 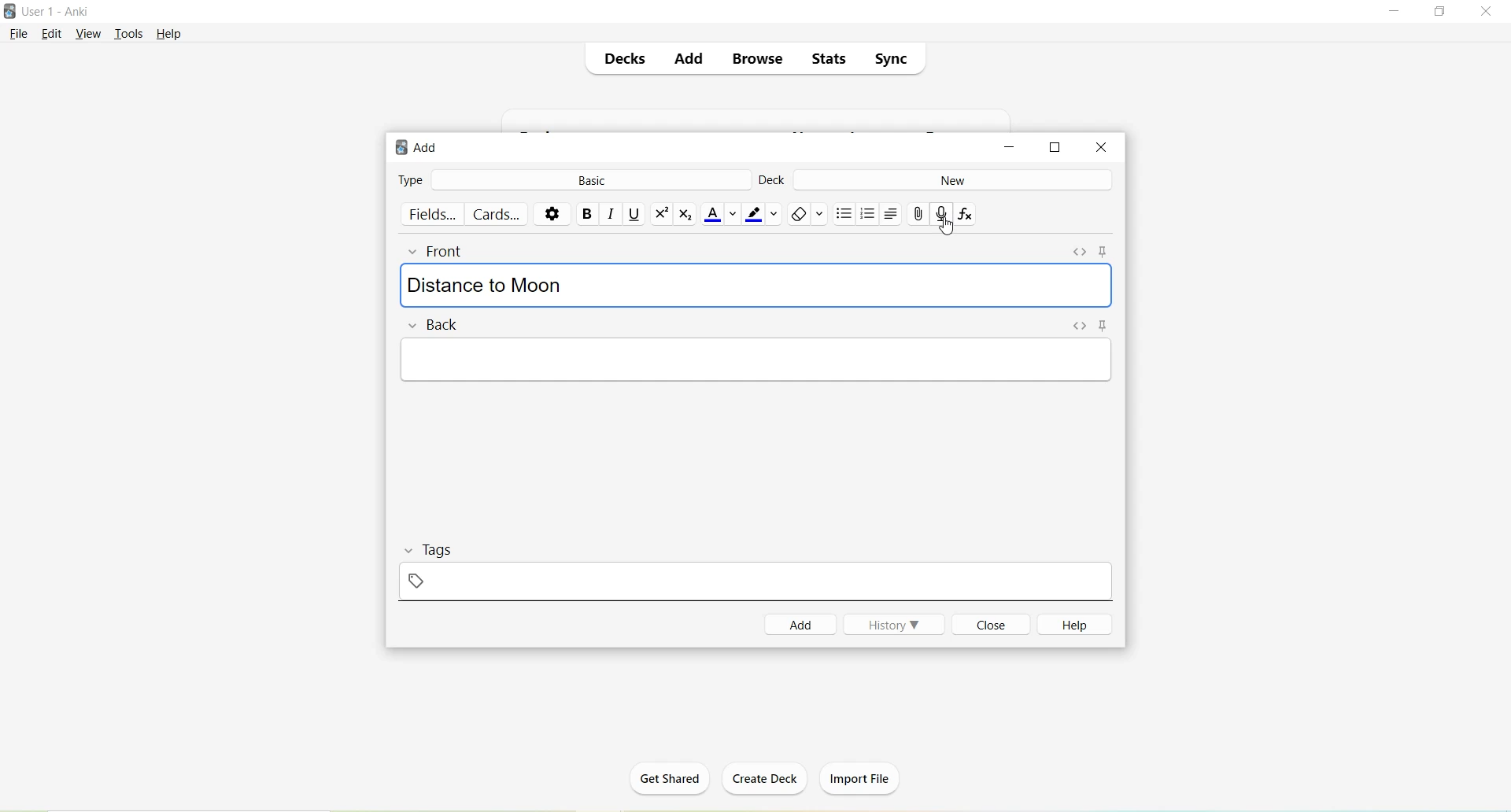 What do you see at coordinates (866, 779) in the screenshot?
I see `Import File` at bounding box center [866, 779].